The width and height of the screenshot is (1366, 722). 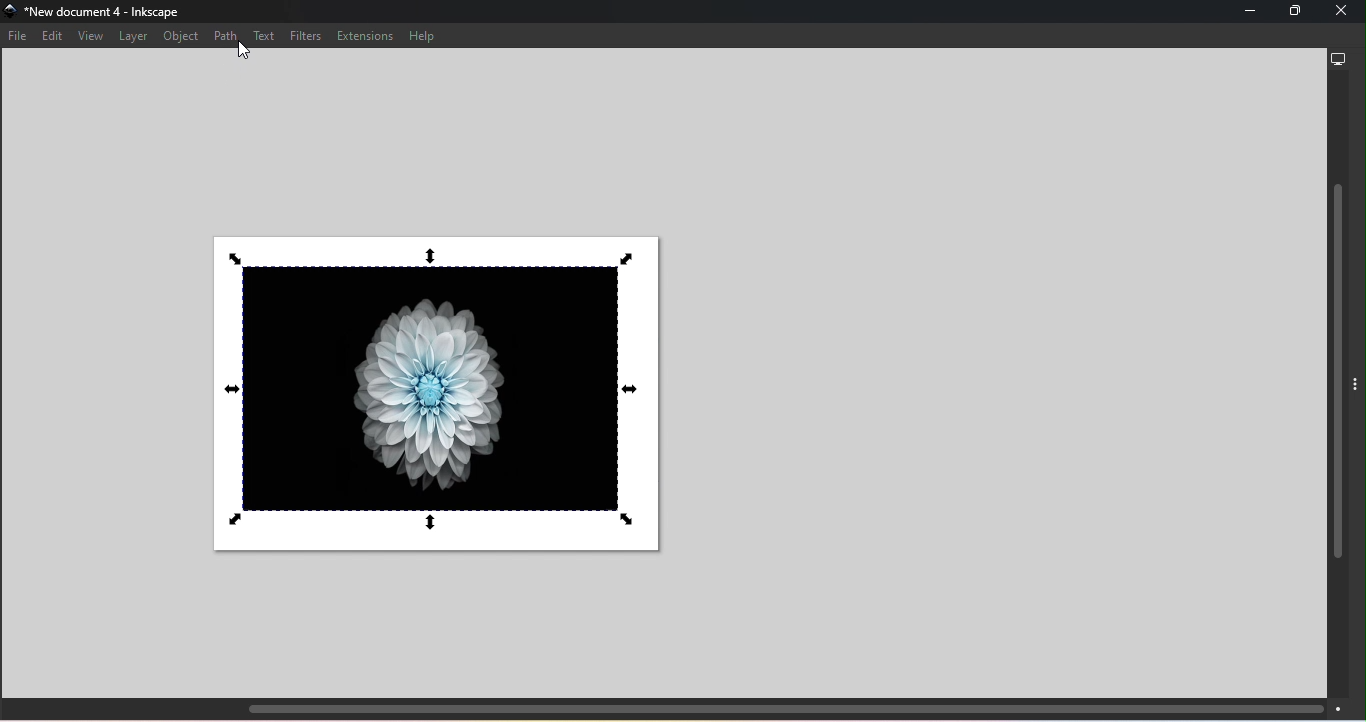 I want to click on File name, so click(x=100, y=13).